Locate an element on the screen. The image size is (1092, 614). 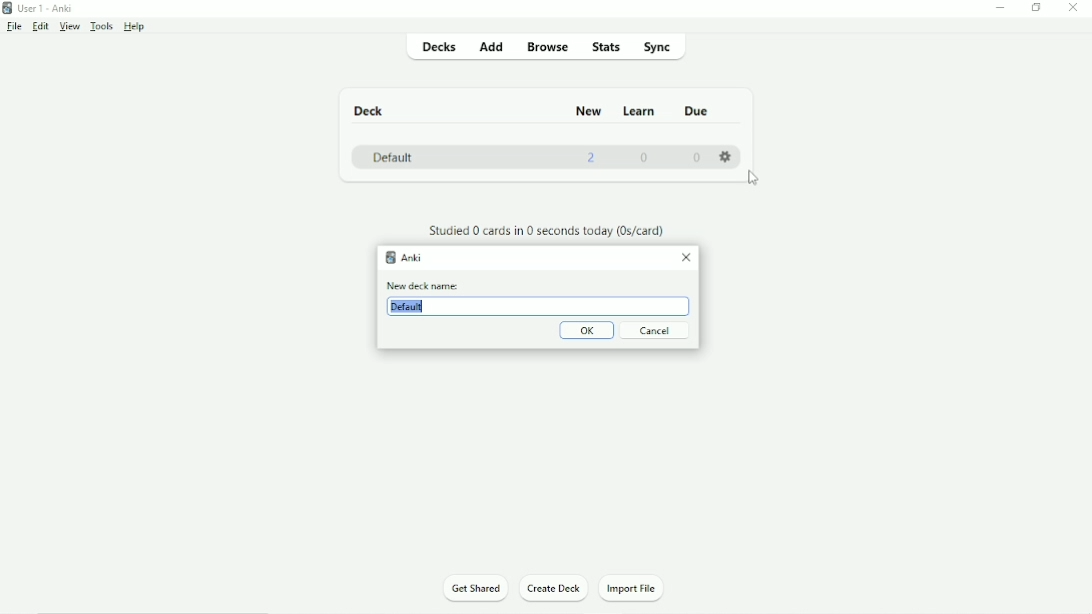
Import File is located at coordinates (640, 588).